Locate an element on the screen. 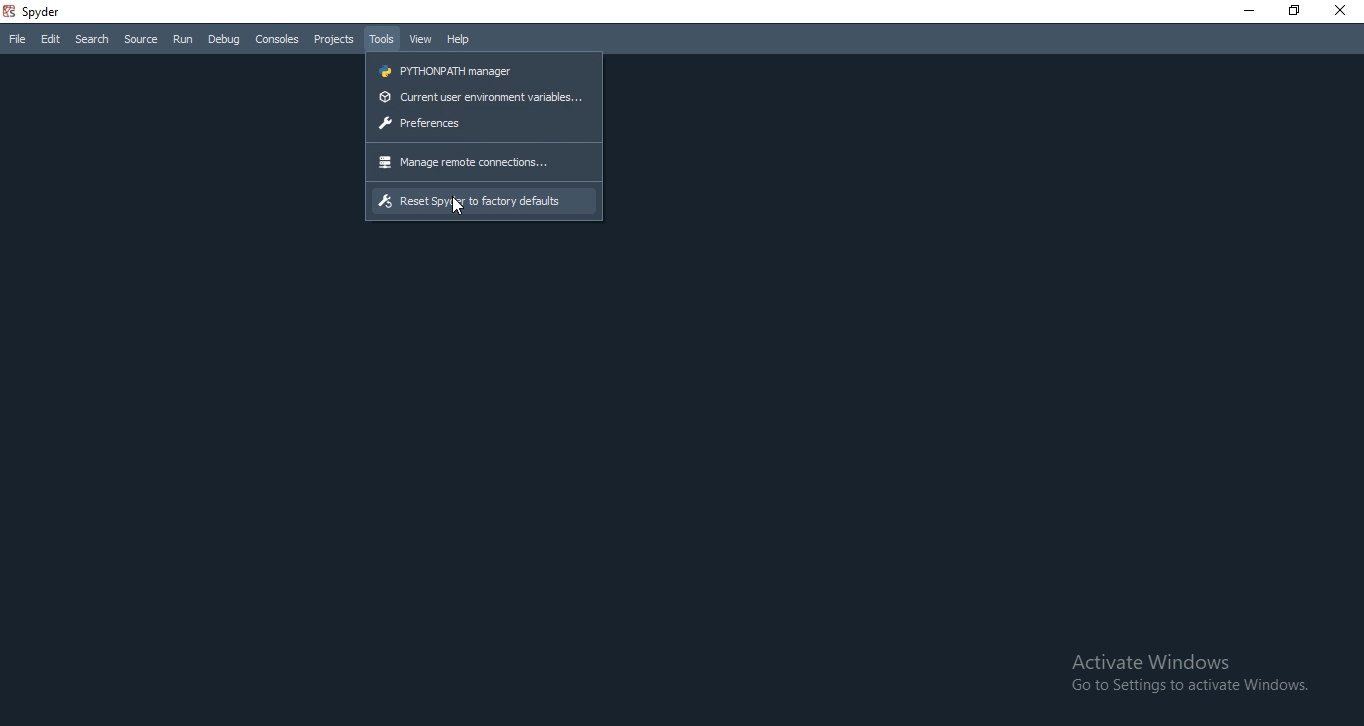  close is located at coordinates (1344, 13).